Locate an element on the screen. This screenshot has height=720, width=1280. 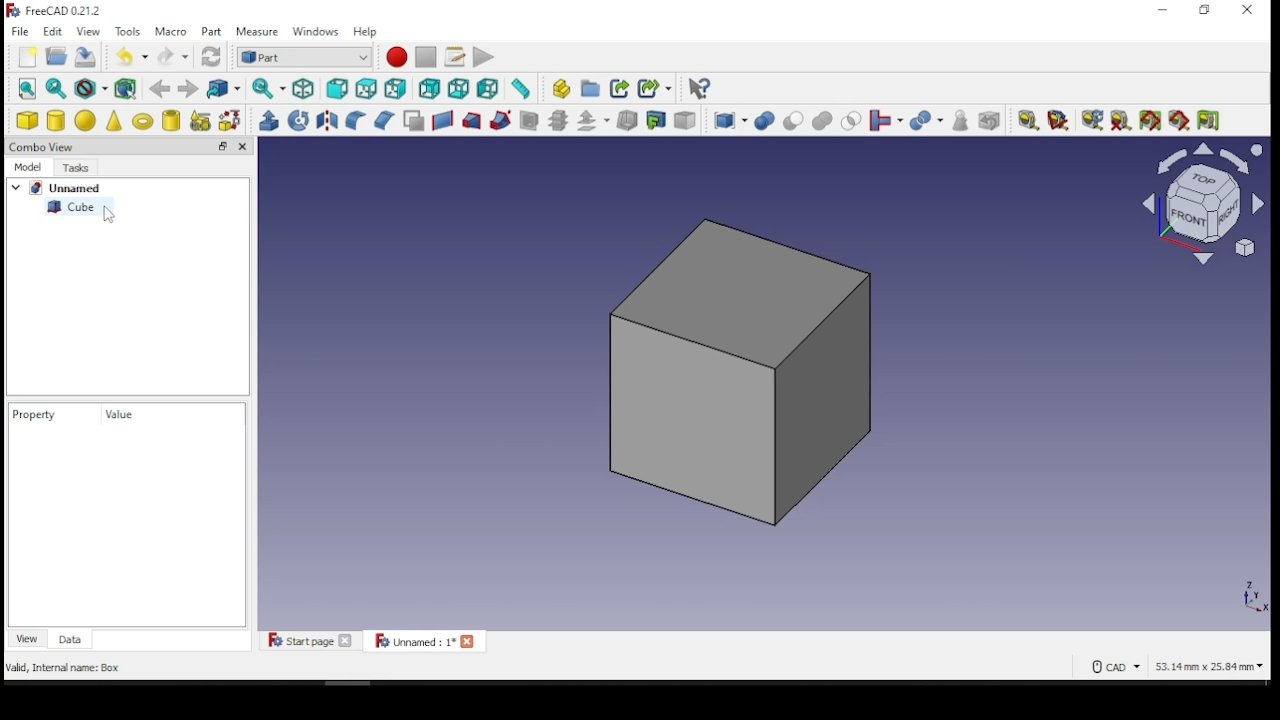
icon is located at coordinates (57, 13).